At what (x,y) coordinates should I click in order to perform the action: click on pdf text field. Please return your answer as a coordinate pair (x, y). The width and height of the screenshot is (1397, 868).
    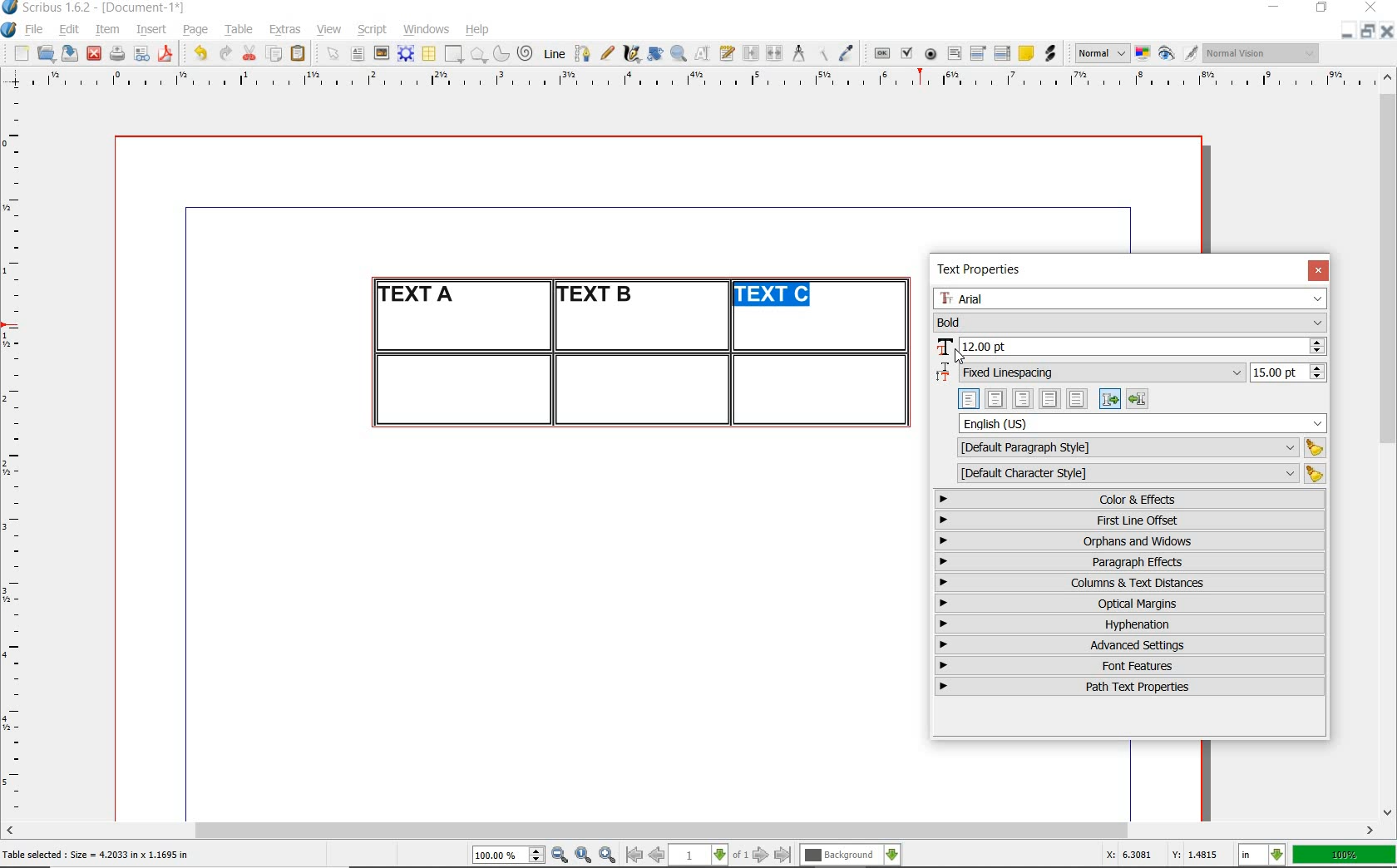
    Looking at the image, I should click on (954, 55).